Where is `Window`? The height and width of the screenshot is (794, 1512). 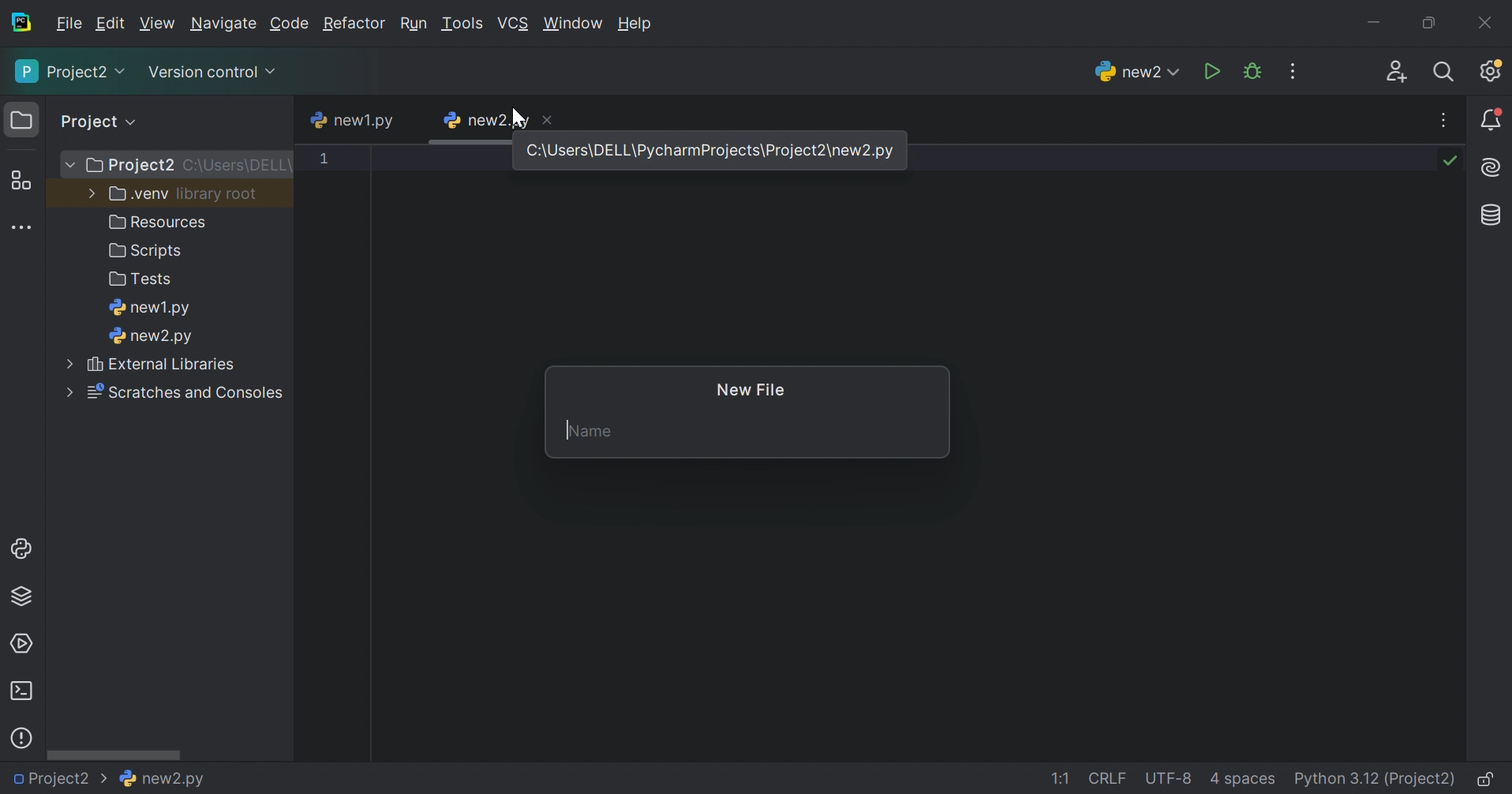
Window is located at coordinates (572, 24).